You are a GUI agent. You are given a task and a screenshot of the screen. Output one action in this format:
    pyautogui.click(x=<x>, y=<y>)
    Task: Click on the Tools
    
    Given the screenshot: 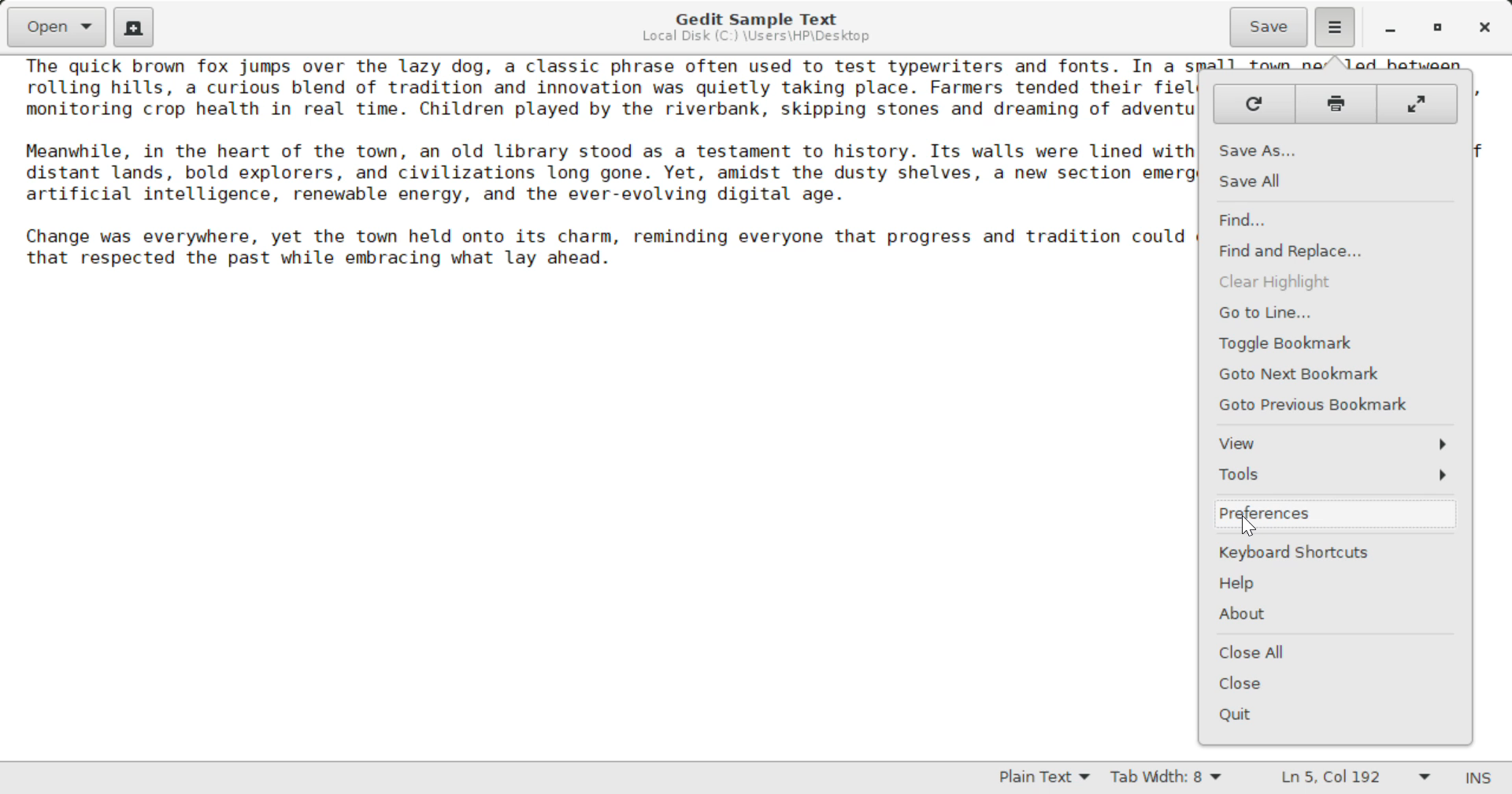 What is the action you would take?
    pyautogui.click(x=1337, y=476)
    